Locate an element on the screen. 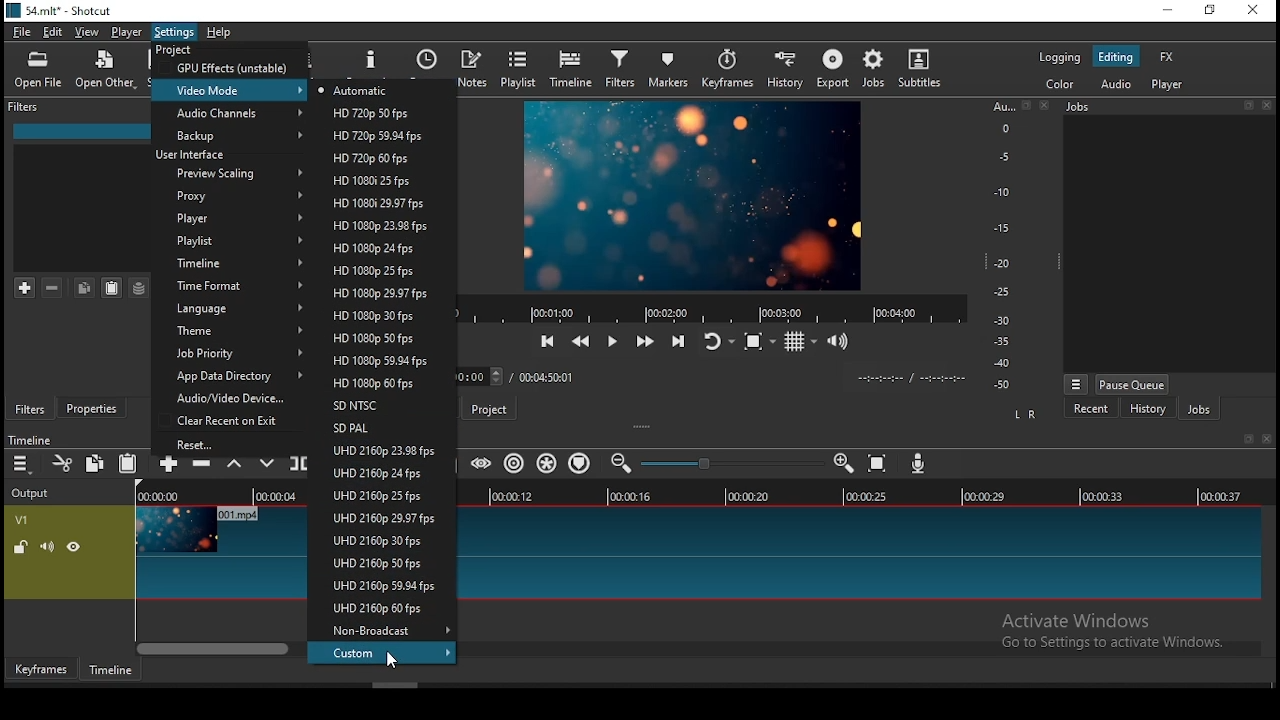 Image resolution: width=1280 pixels, height=720 pixels. filters is located at coordinates (30, 409).